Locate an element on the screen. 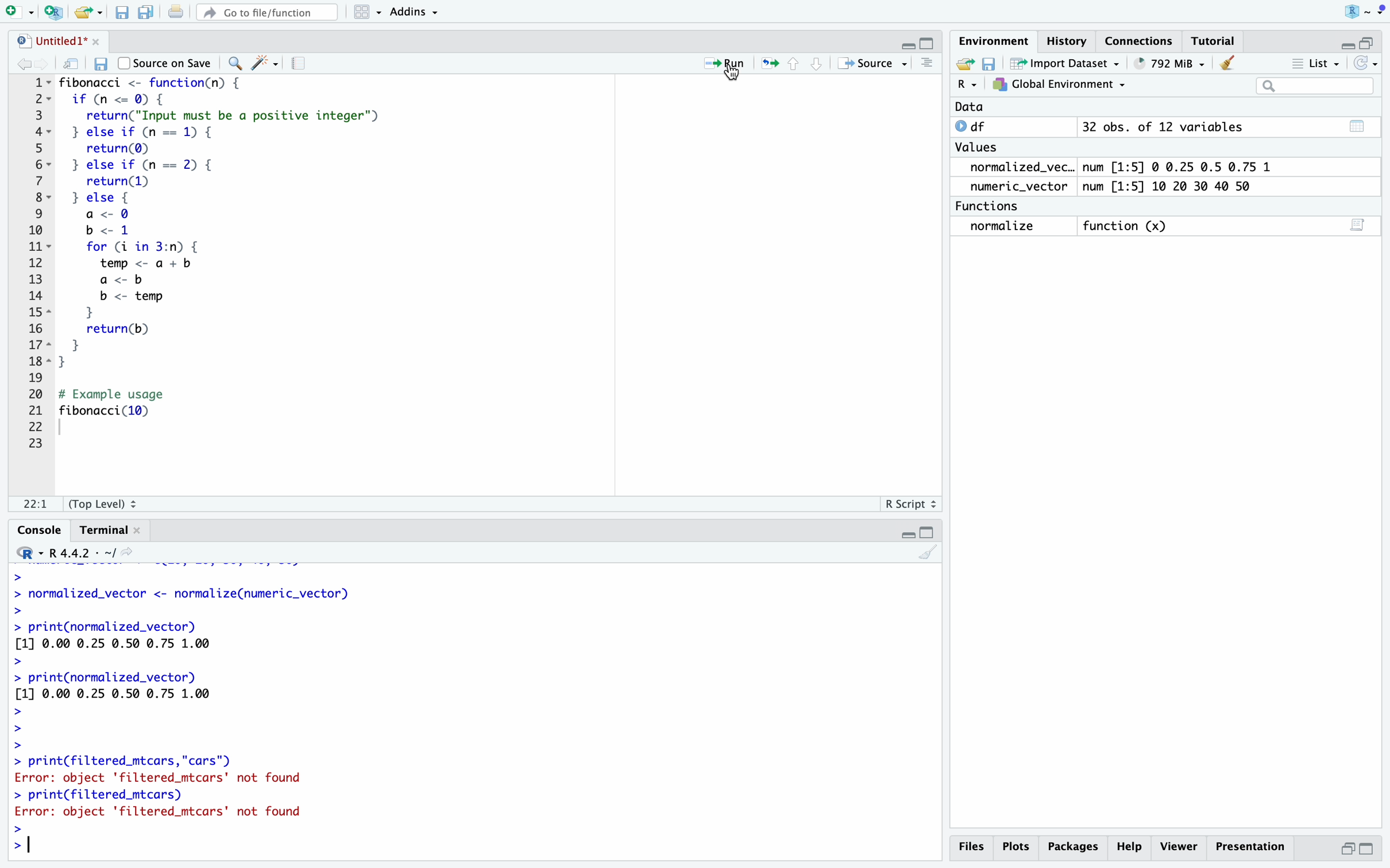 Image resolution: width=1390 pixels, height=868 pixels. open an existing file is located at coordinates (88, 12).